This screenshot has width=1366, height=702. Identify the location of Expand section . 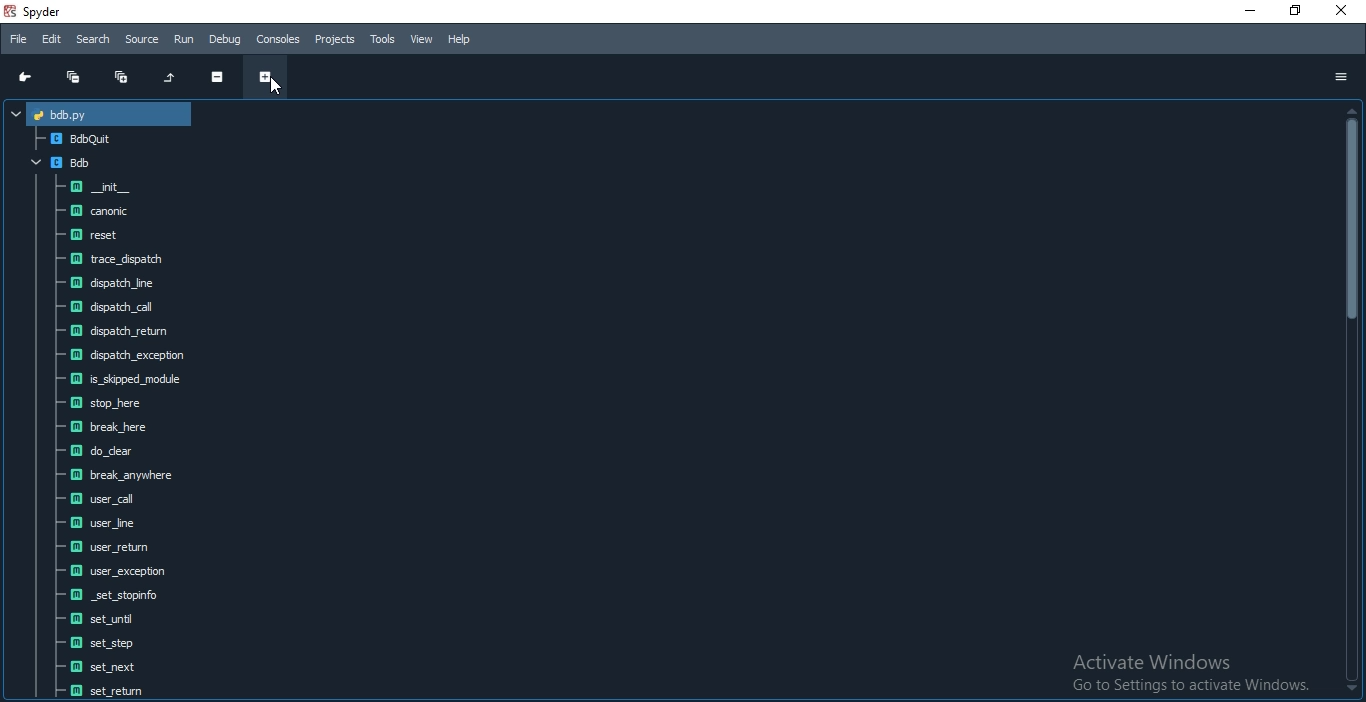
(265, 79).